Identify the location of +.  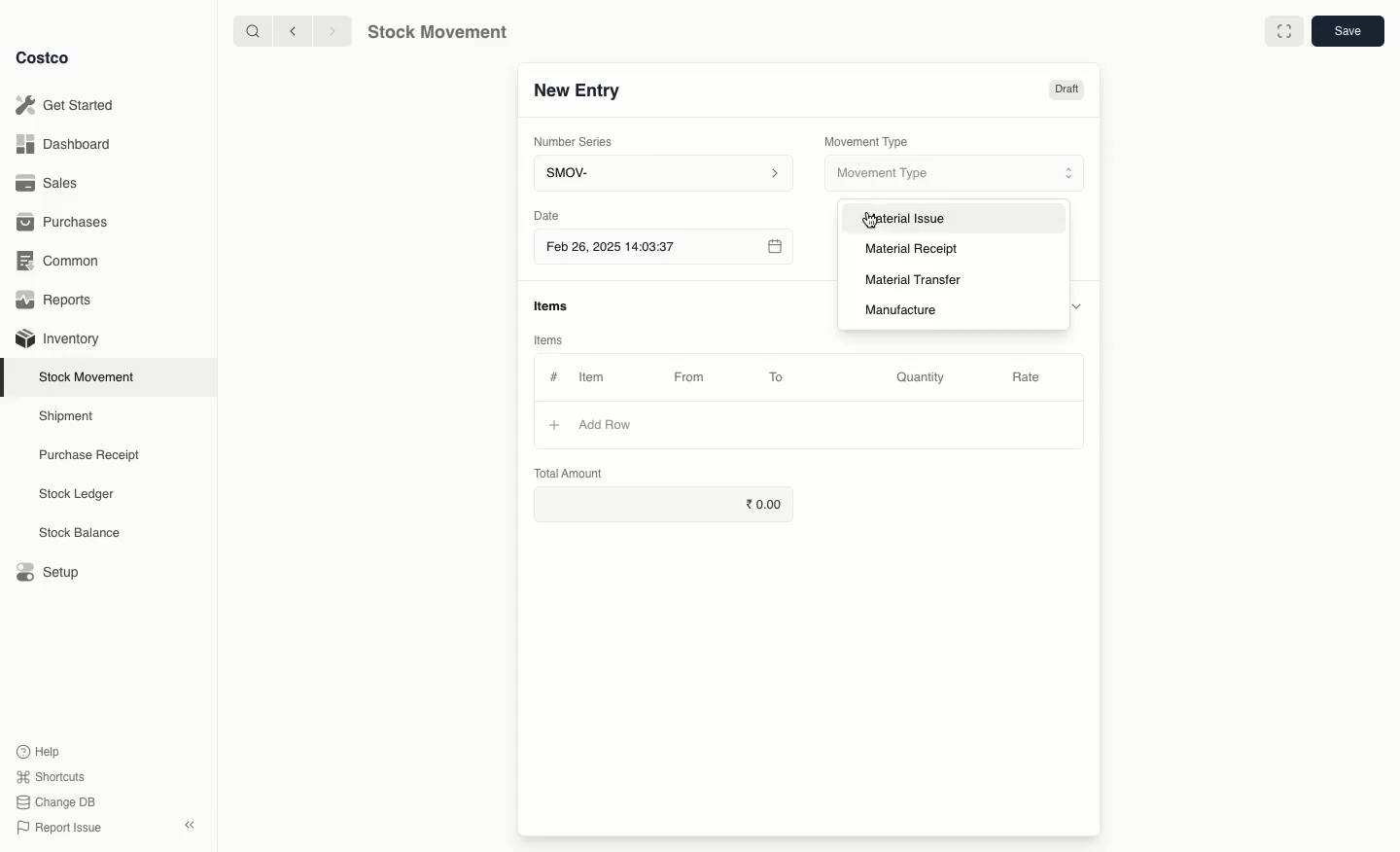
(549, 427).